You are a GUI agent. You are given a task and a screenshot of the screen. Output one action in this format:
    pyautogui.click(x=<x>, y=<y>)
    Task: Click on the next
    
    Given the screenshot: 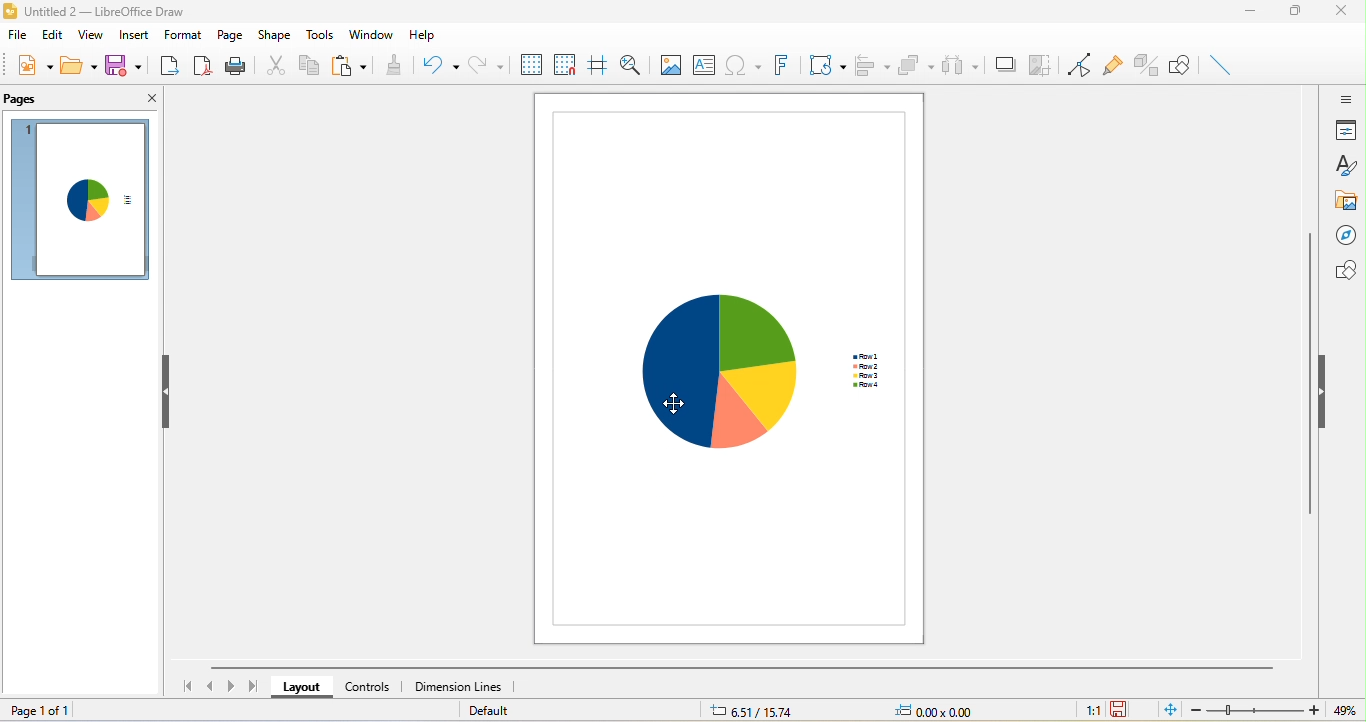 What is the action you would take?
    pyautogui.click(x=232, y=687)
    